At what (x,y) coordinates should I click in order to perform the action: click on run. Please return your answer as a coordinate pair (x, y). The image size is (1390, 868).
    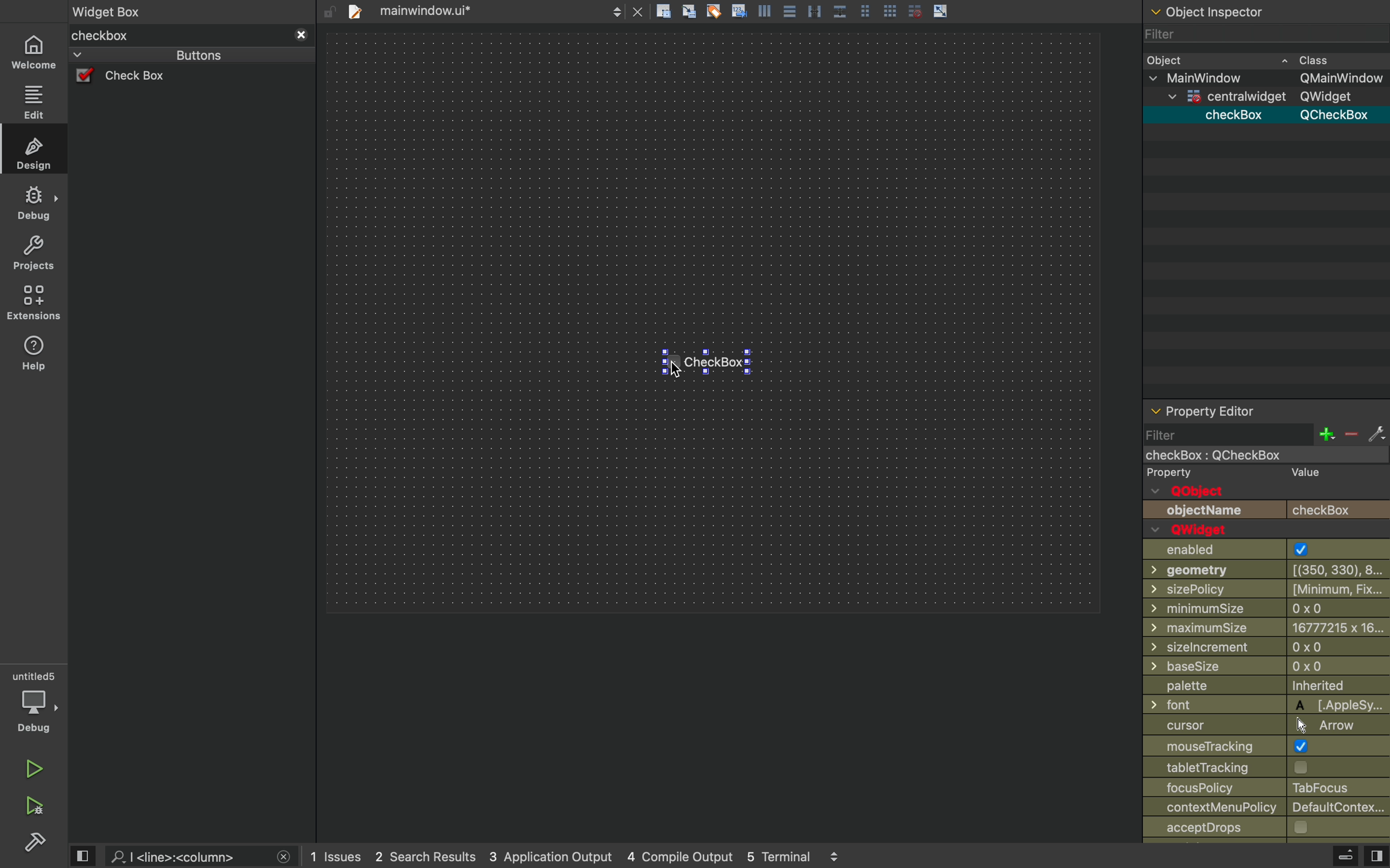
    Looking at the image, I should click on (29, 769).